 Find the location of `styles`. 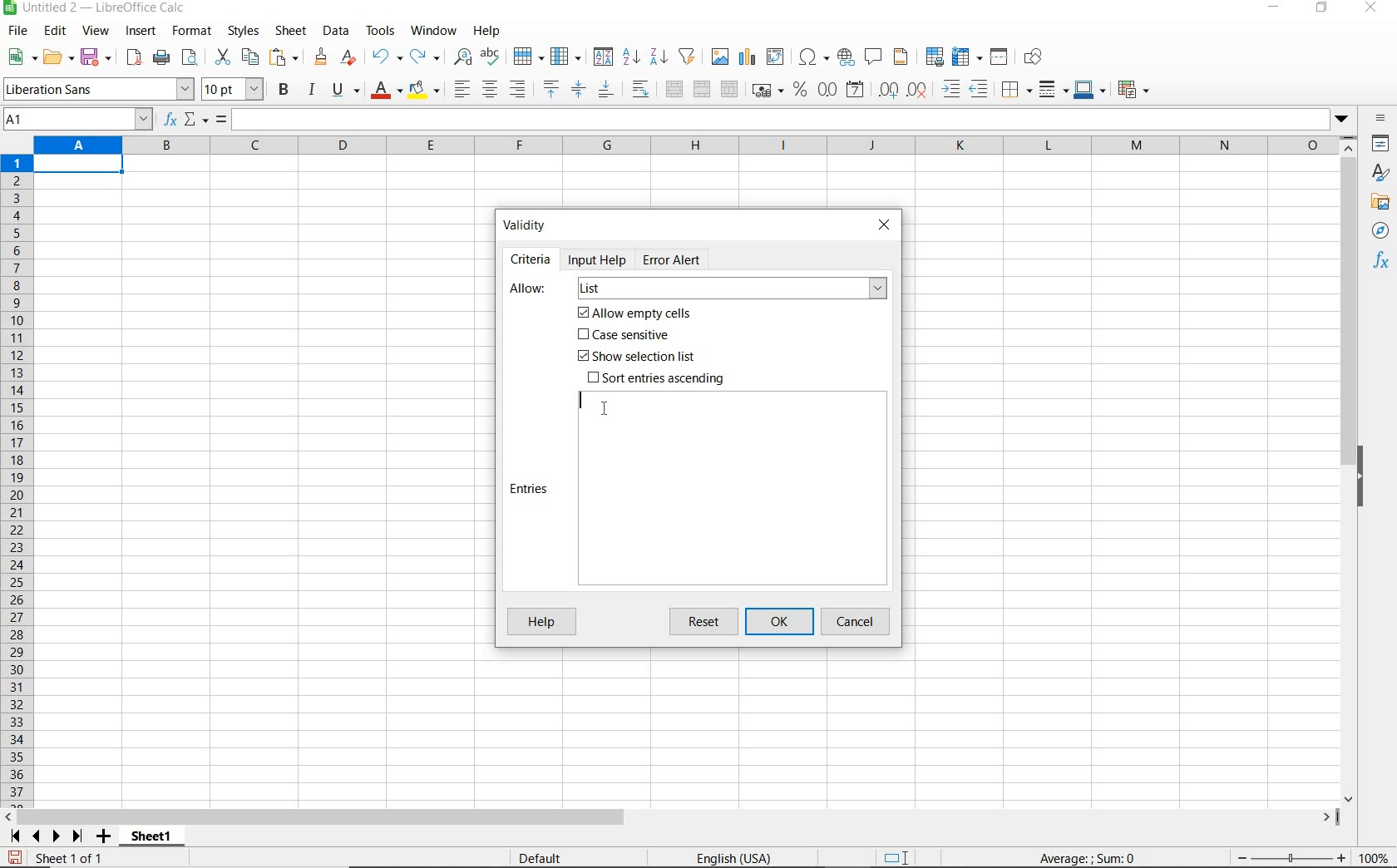

styles is located at coordinates (1381, 175).